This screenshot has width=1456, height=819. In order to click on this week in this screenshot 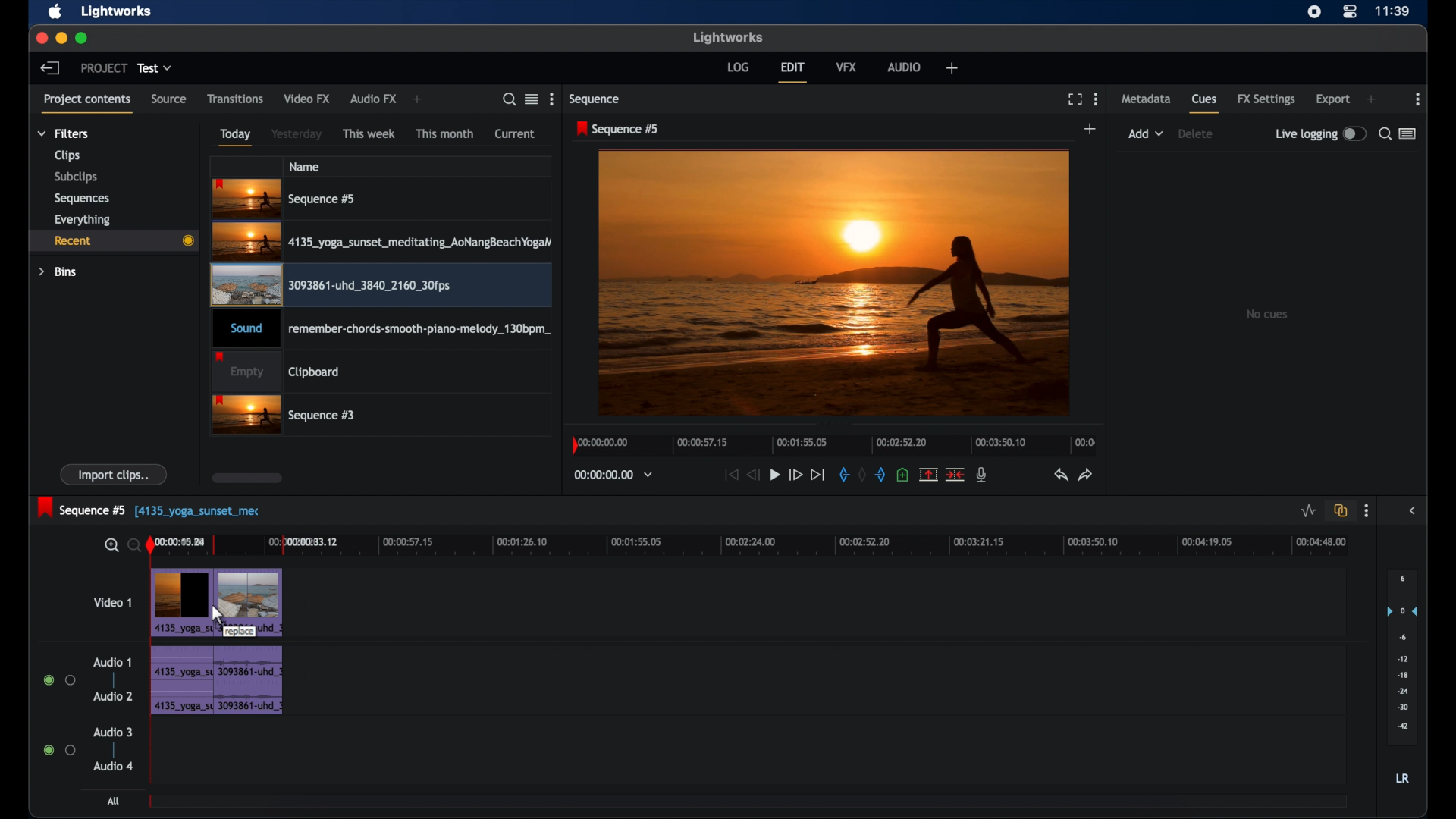, I will do `click(369, 134)`.